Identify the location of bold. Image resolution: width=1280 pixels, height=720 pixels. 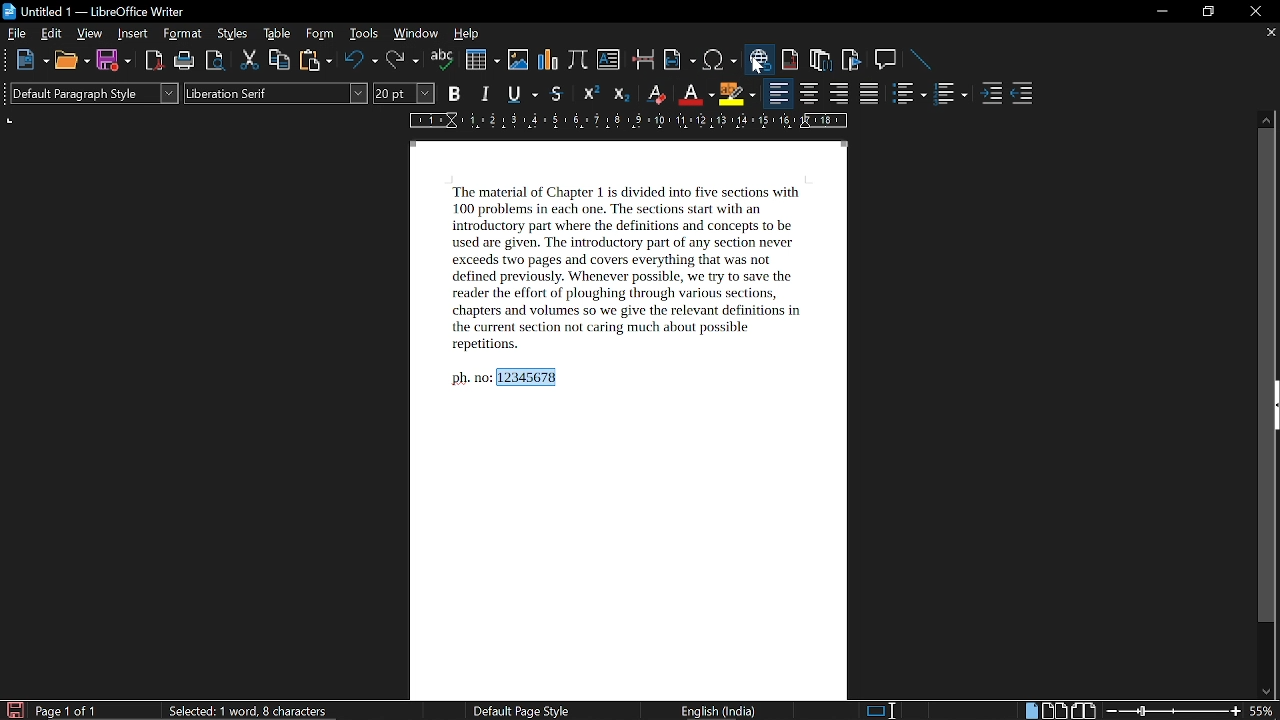
(453, 95).